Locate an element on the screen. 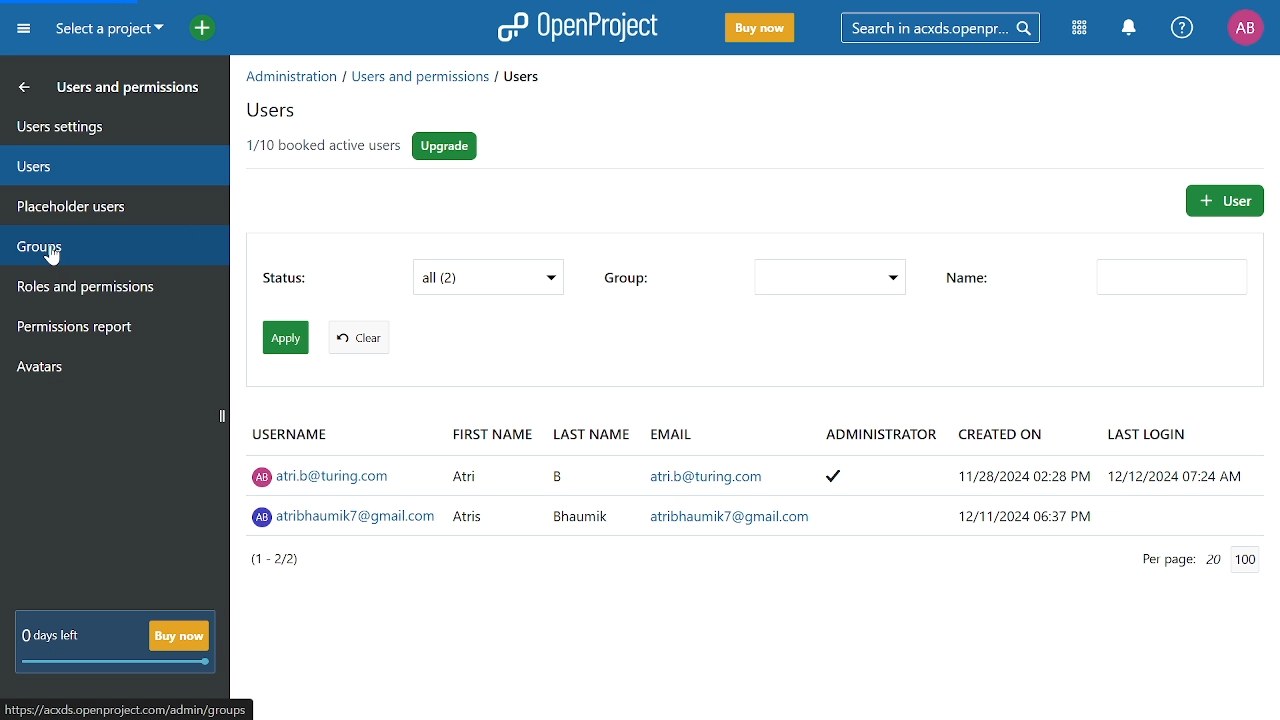 The width and height of the screenshot is (1280, 720). Status is located at coordinates (490, 278).